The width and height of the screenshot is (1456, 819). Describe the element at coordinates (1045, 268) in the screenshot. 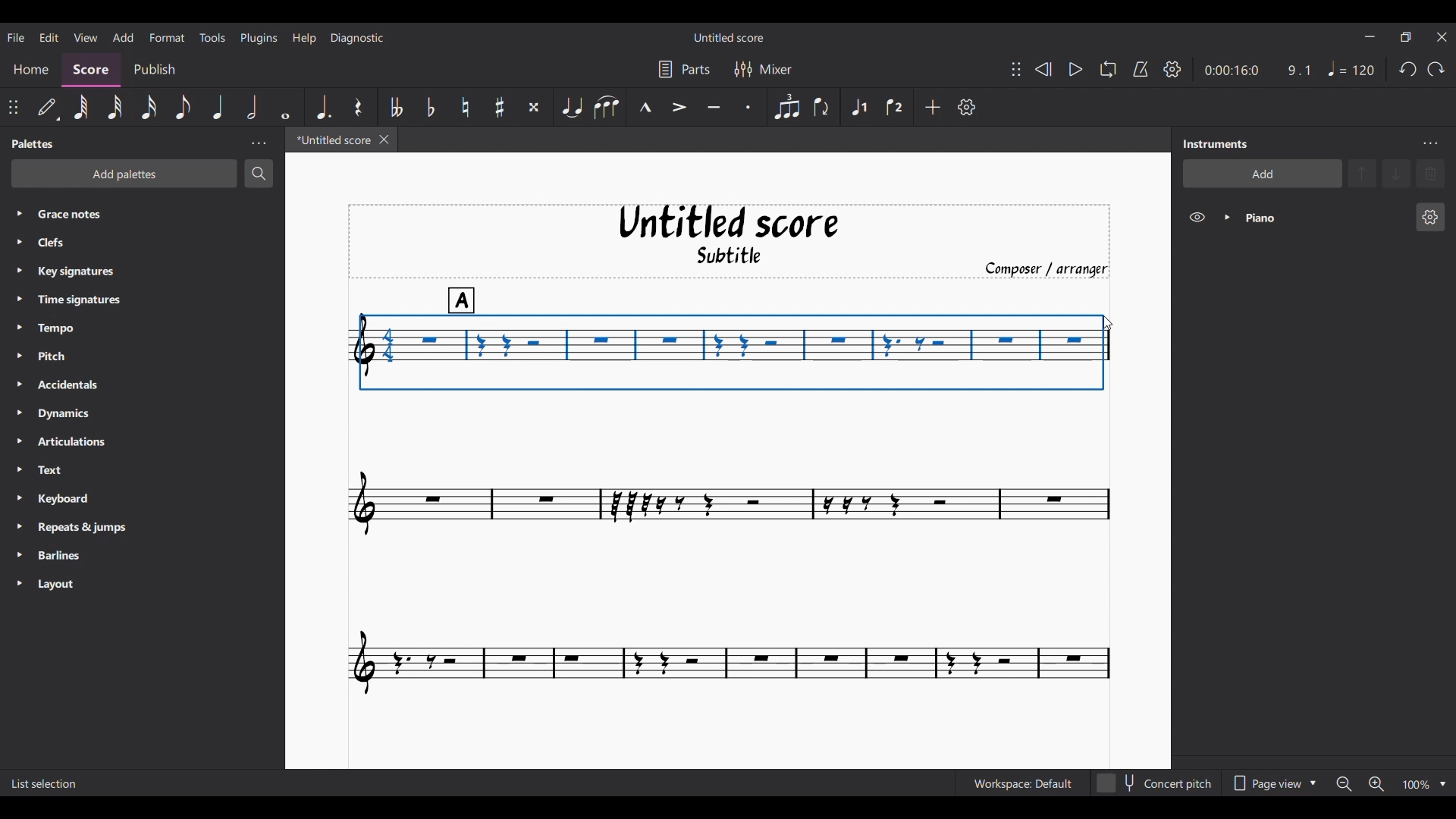

I see `Composer/arranger` at that location.